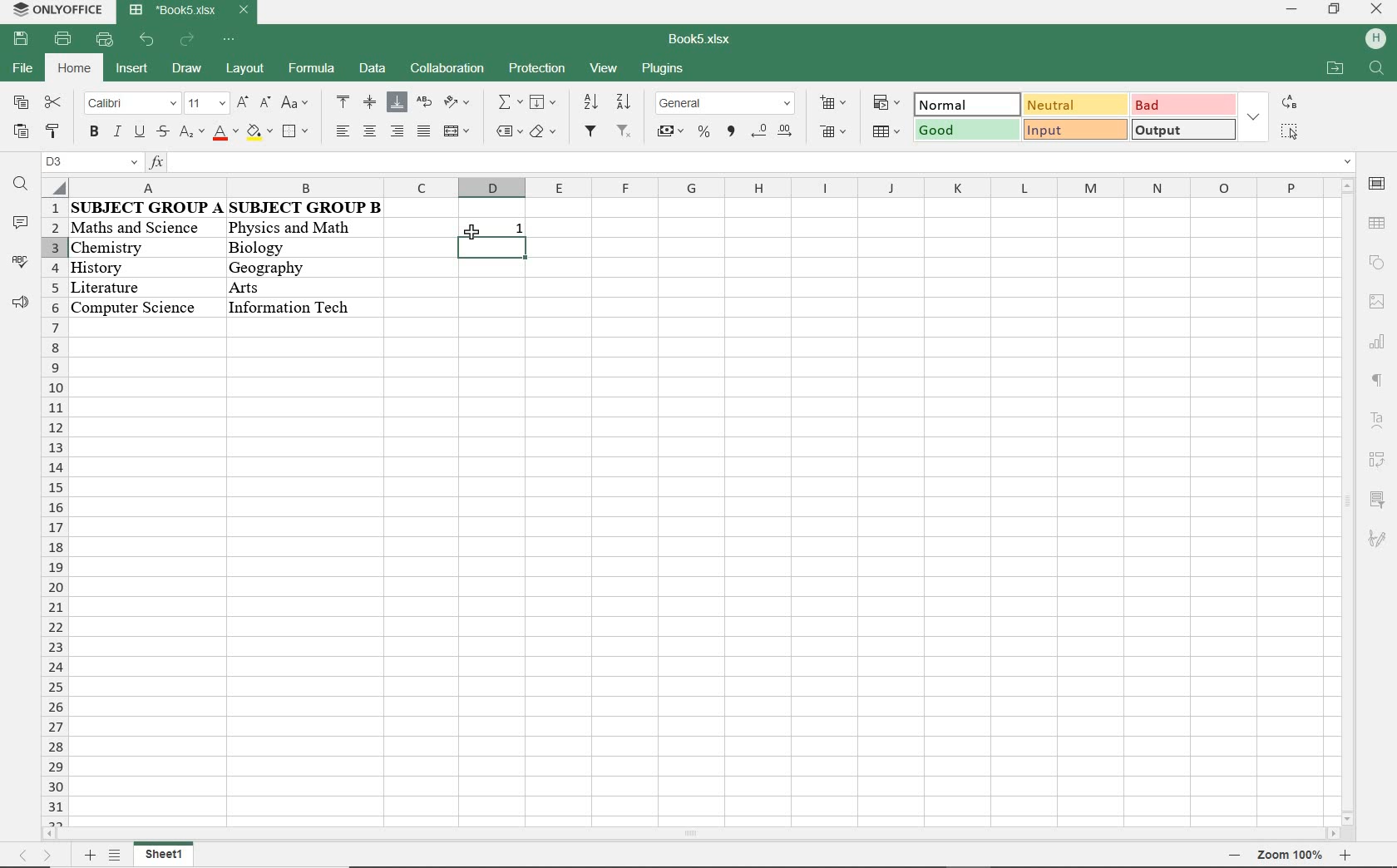 Image resolution: width=1397 pixels, height=868 pixels. What do you see at coordinates (661, 70) in the screenshot?
I see `plugins` at bounding box center [661, 70].